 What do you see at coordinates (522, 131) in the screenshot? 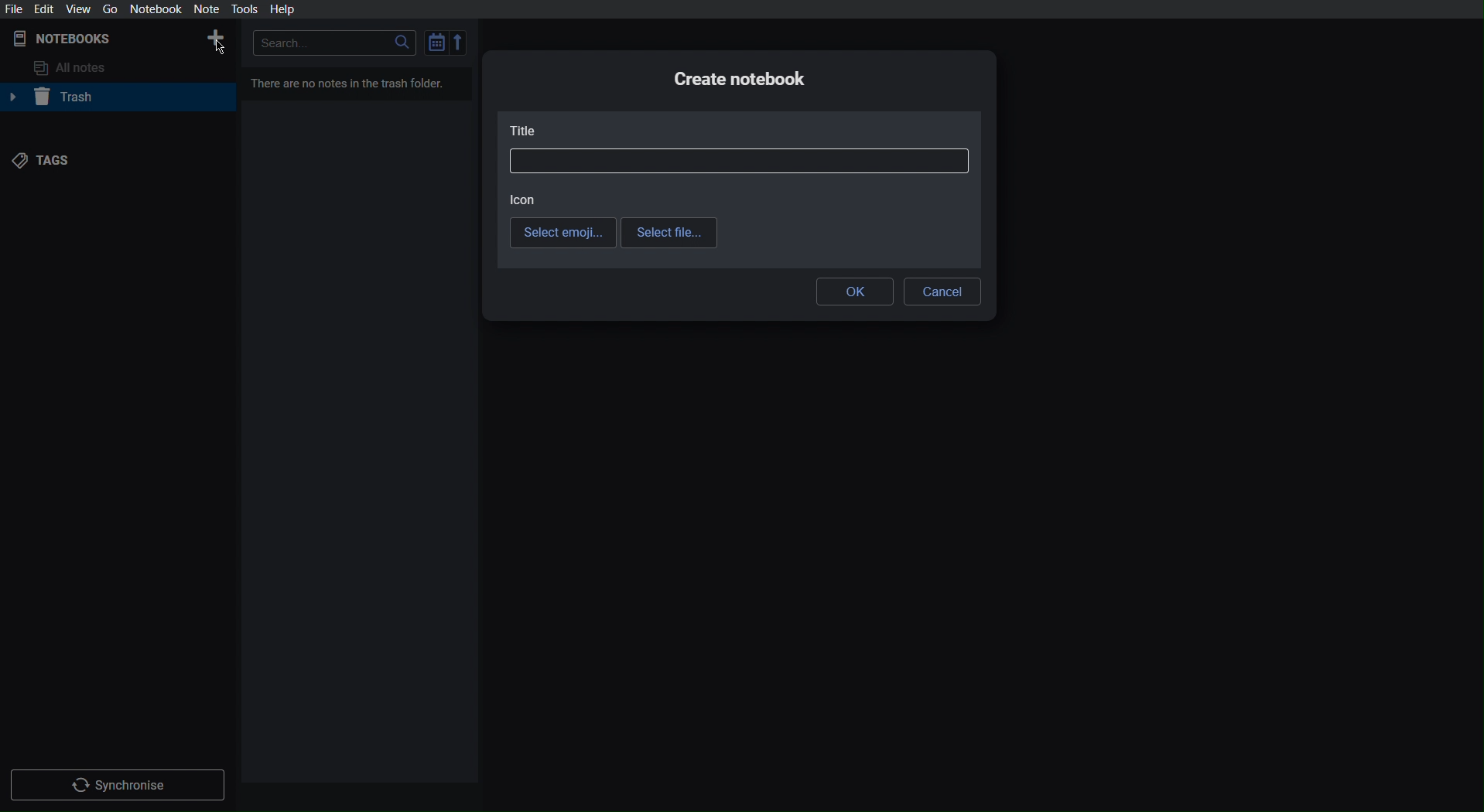
I see `Title` at bounding box center [522, 131].